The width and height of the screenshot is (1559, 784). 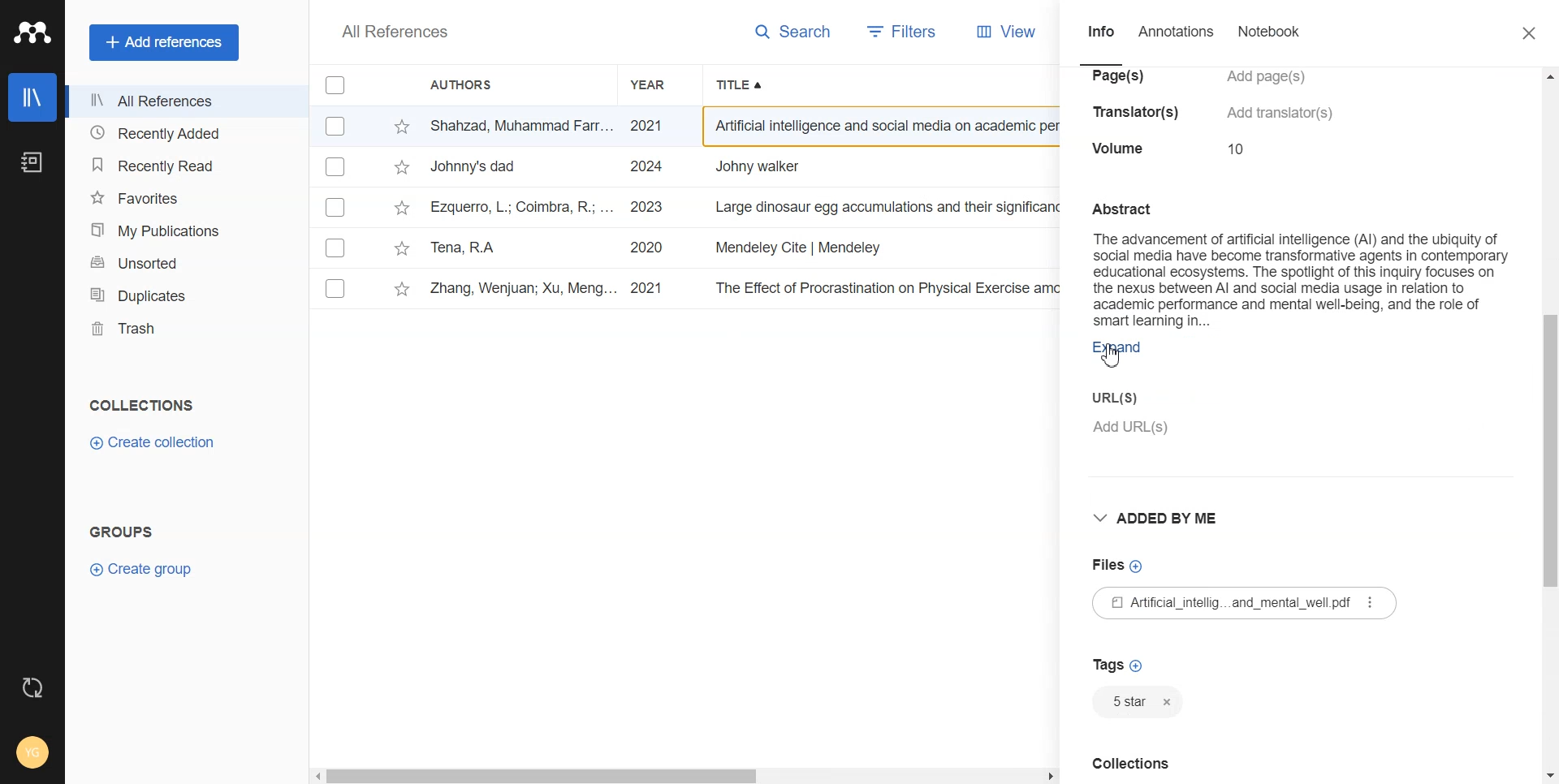 What do you see at coordinates (660, 86) in the screenshot?
I see `Year` at bounding box center [660, 86].